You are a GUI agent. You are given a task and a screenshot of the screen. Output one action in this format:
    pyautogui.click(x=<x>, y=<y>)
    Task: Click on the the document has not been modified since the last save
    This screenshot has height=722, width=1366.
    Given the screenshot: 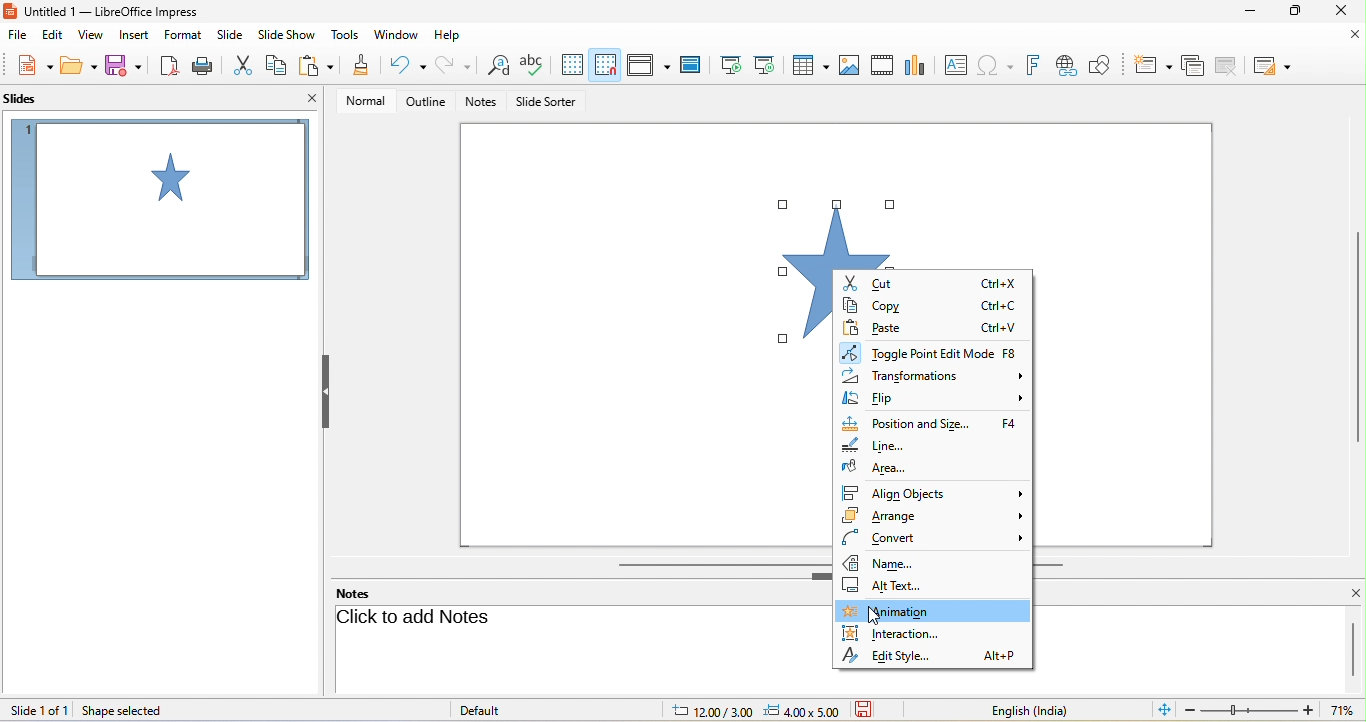 What is the action you would take?
    pyautogui.click(x=876, y=710)
    